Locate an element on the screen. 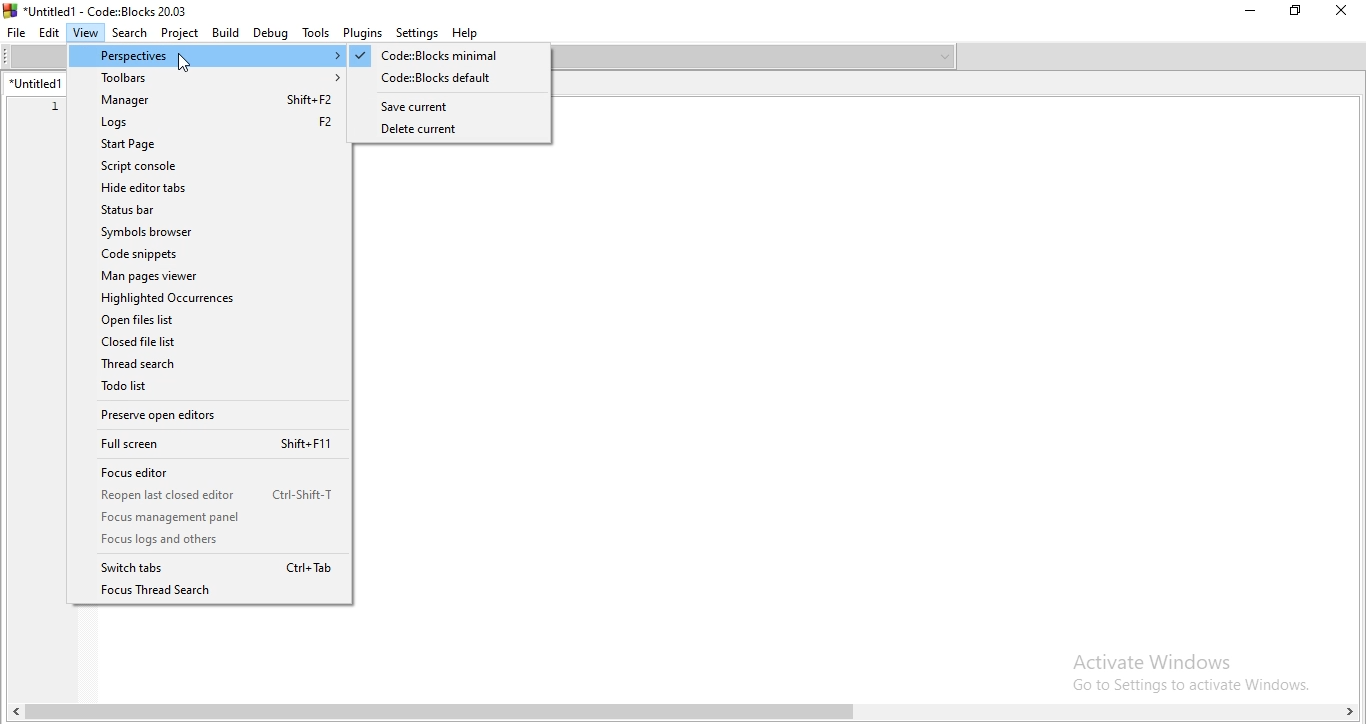 This screenshot has width=1366, height=724. focus management panel is located at coordinates (210, 520).